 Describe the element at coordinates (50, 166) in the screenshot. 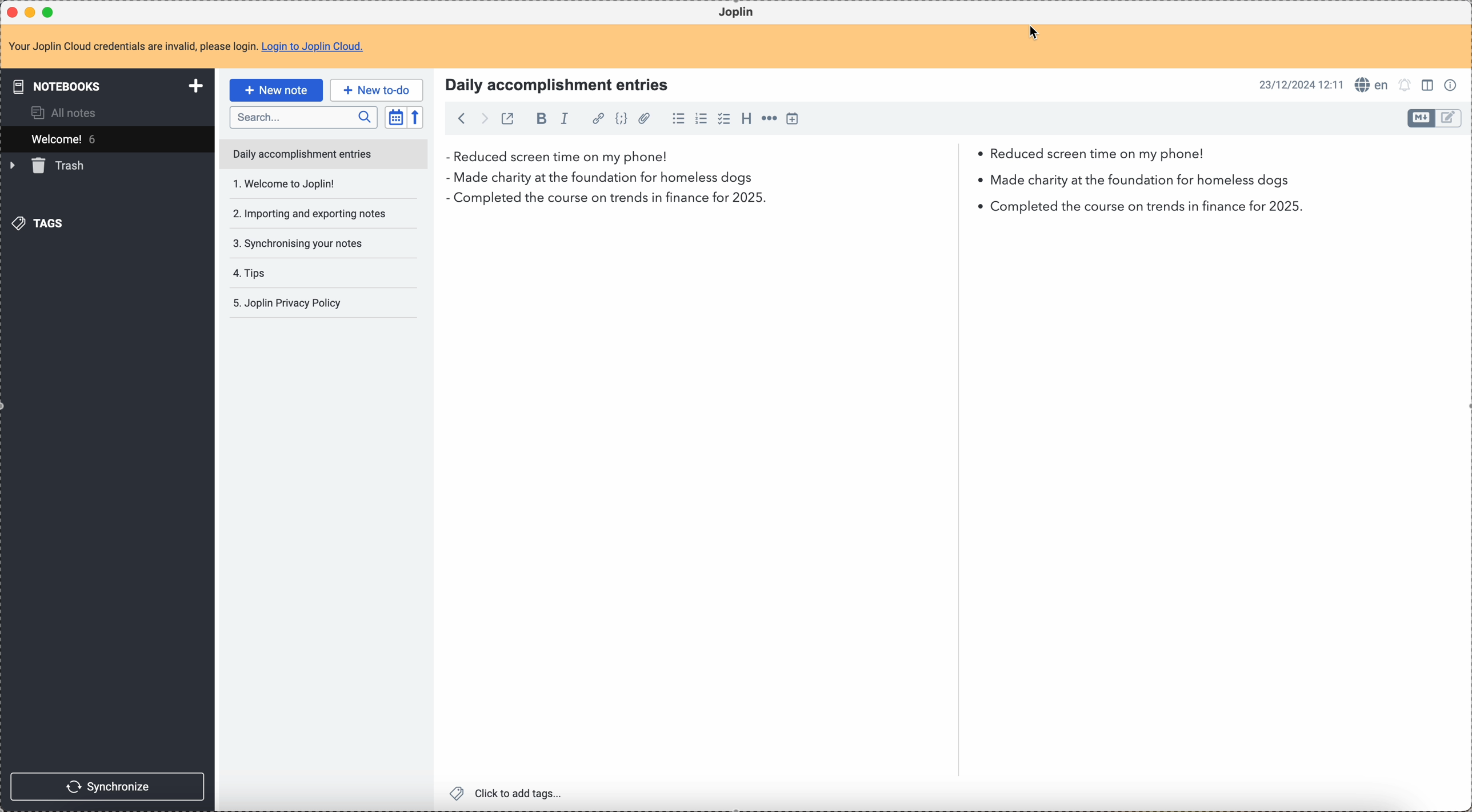

I see `trash` at that location.